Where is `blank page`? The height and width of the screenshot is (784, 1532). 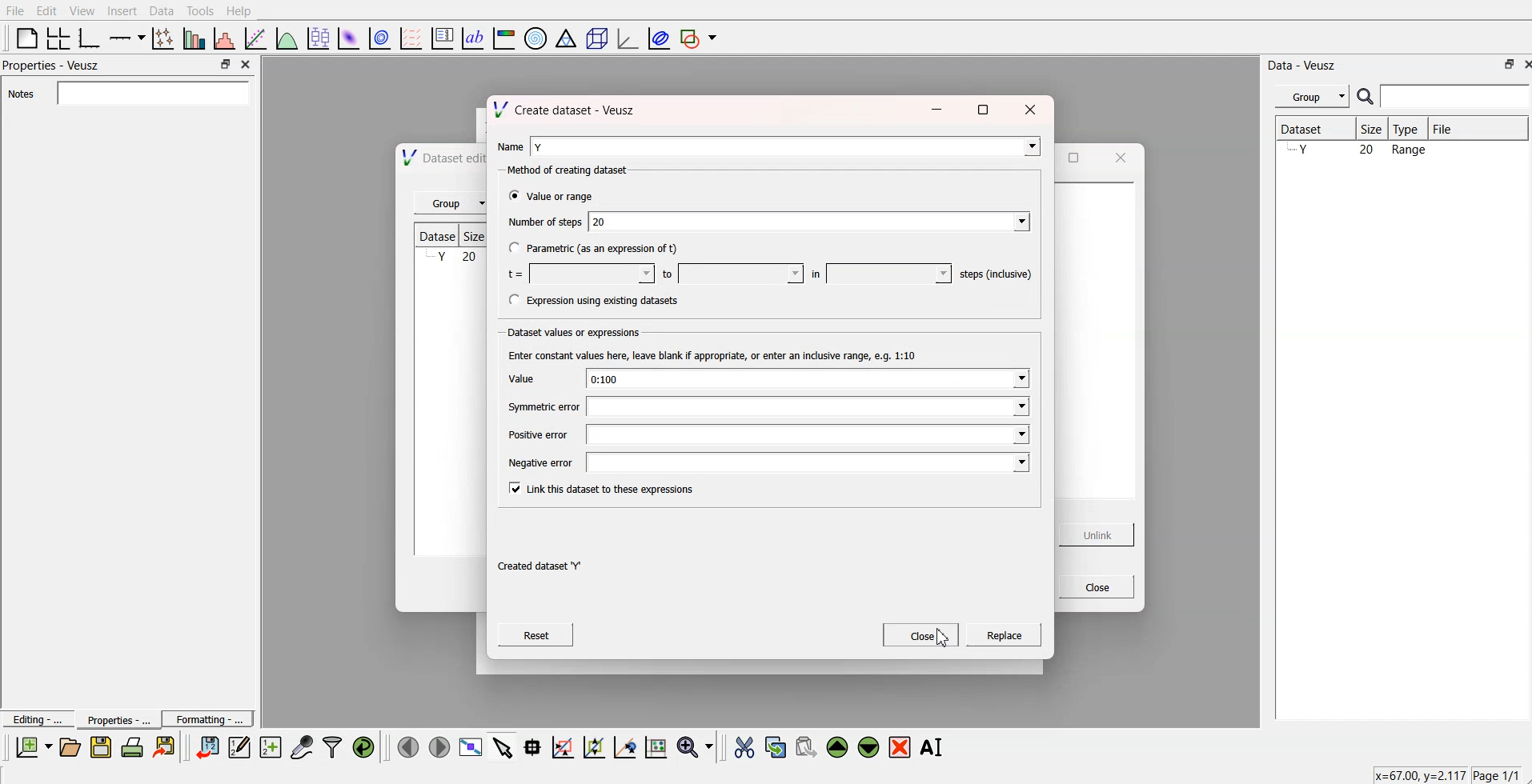
blank page is located at coordinates (26, 38).